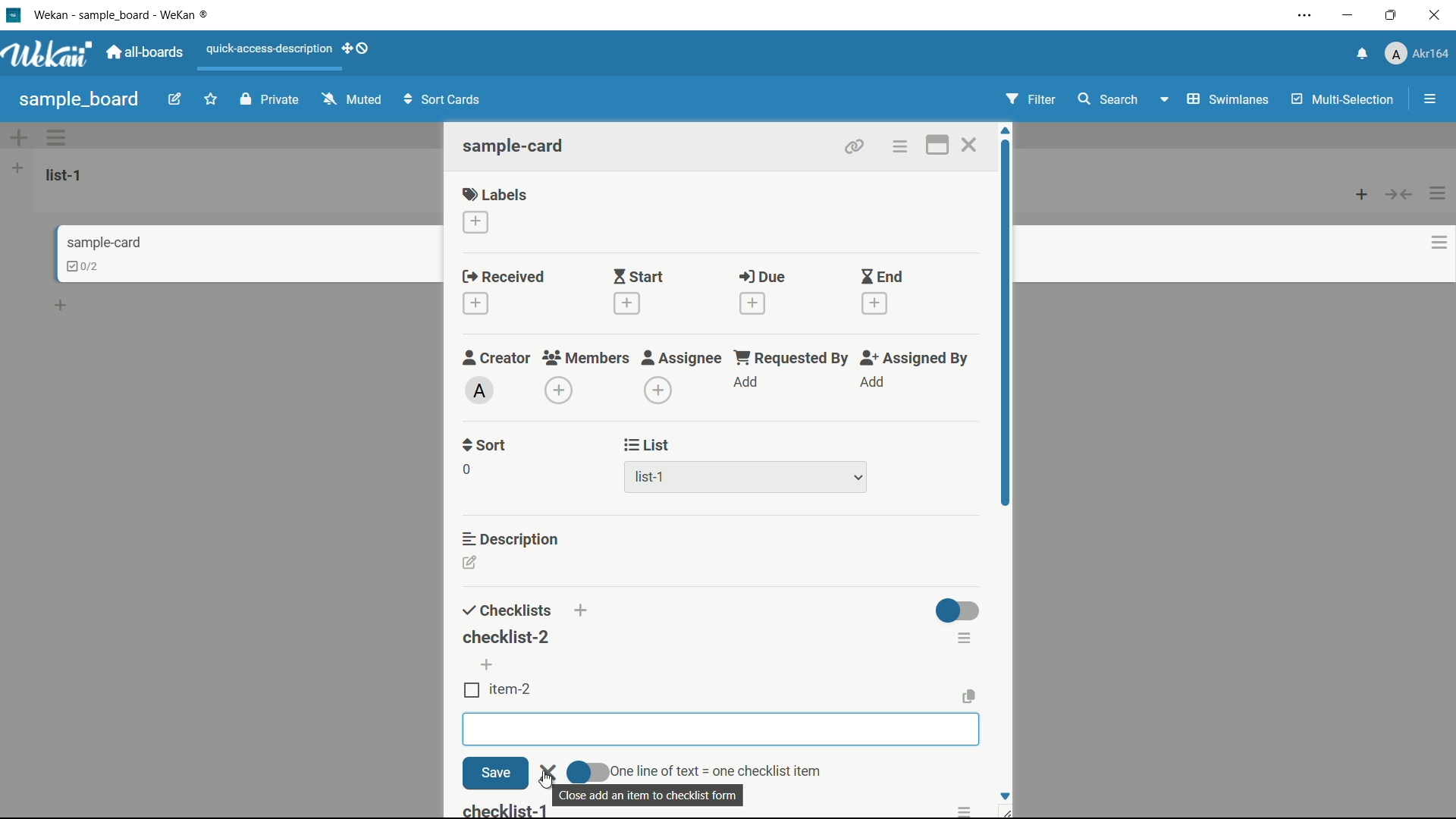 This screenshot has width=1456, height=819. What do you see at coordinates (762, 278) in the screenshot?
I see `due` at bounding box center [762, 278].